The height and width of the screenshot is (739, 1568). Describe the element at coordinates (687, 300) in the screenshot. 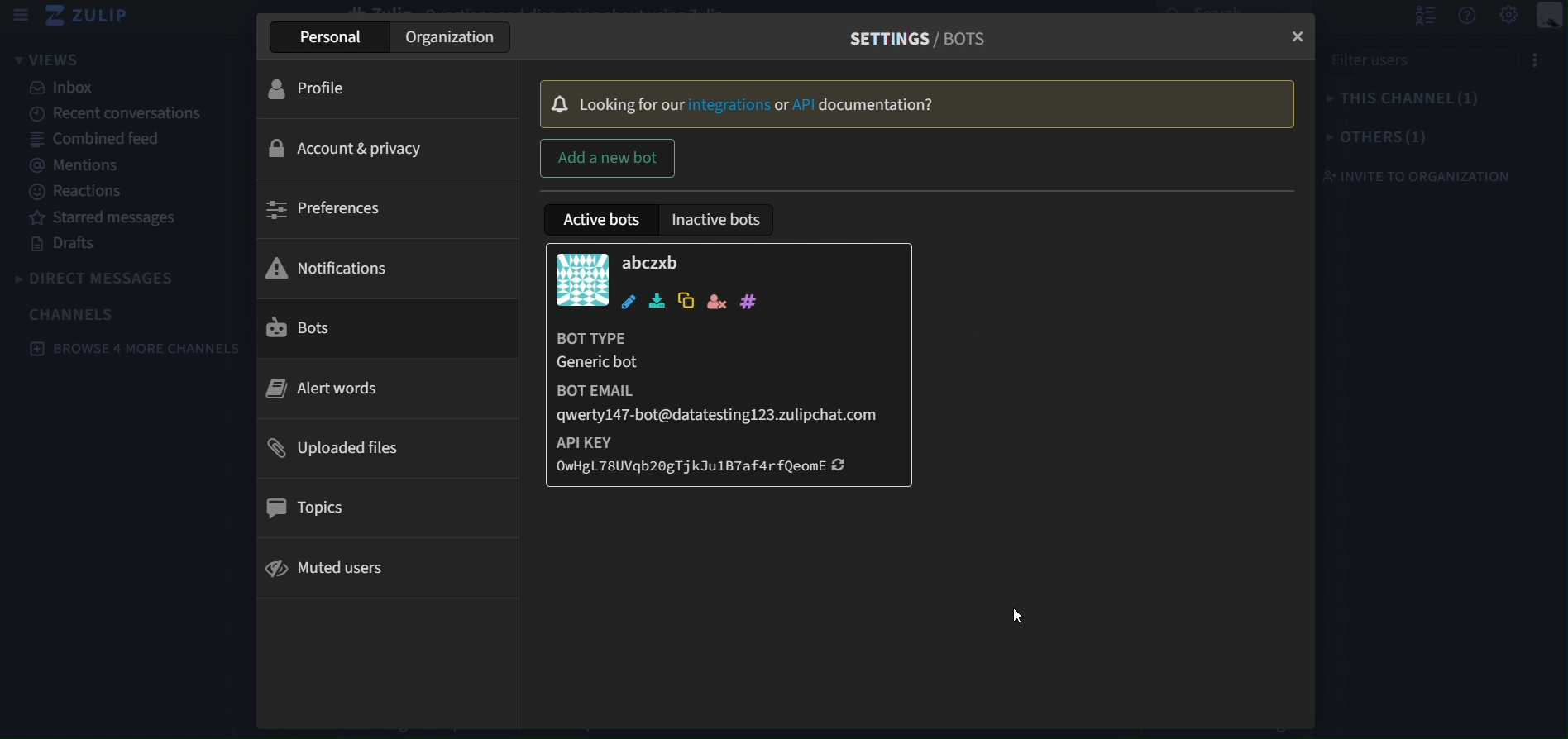

I see `copy zuliprc` at that location.